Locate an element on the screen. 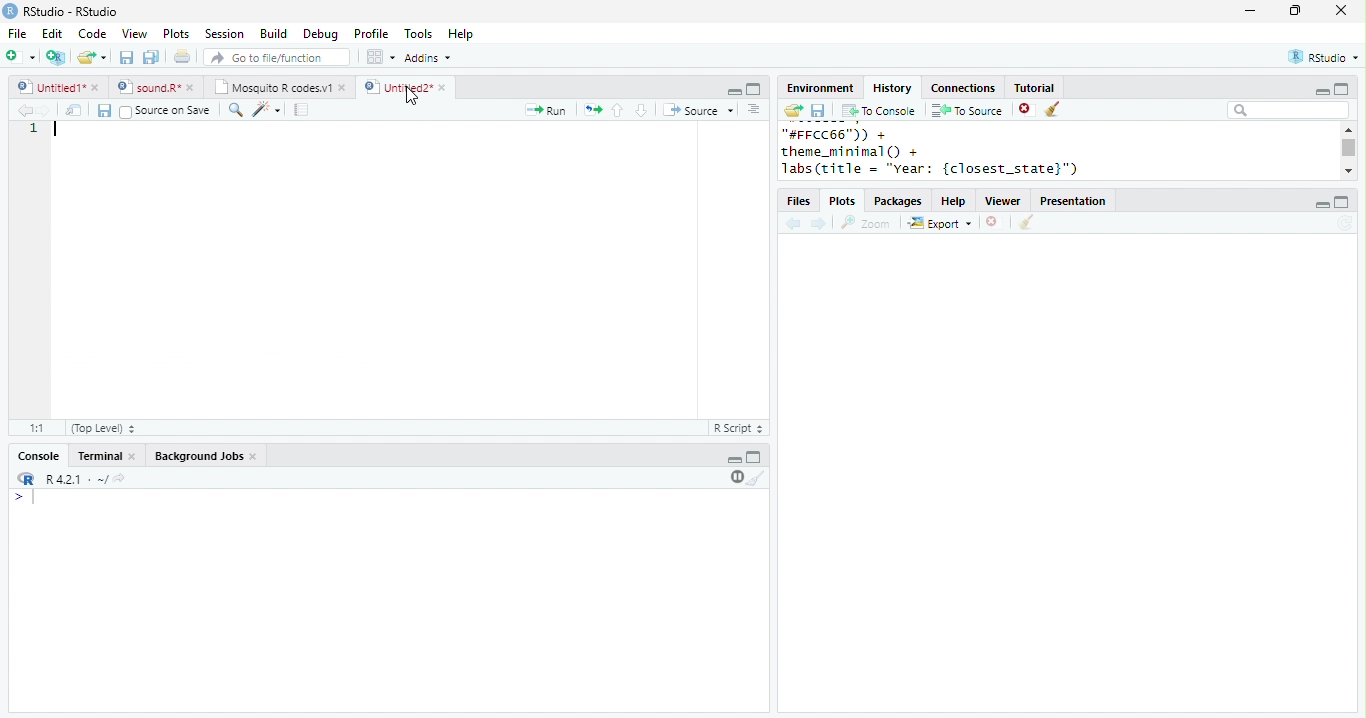  "#FFCC66")) +theme_minimal() +labs(title = "year: {closest_state}") is located at coordinates (955, 152).